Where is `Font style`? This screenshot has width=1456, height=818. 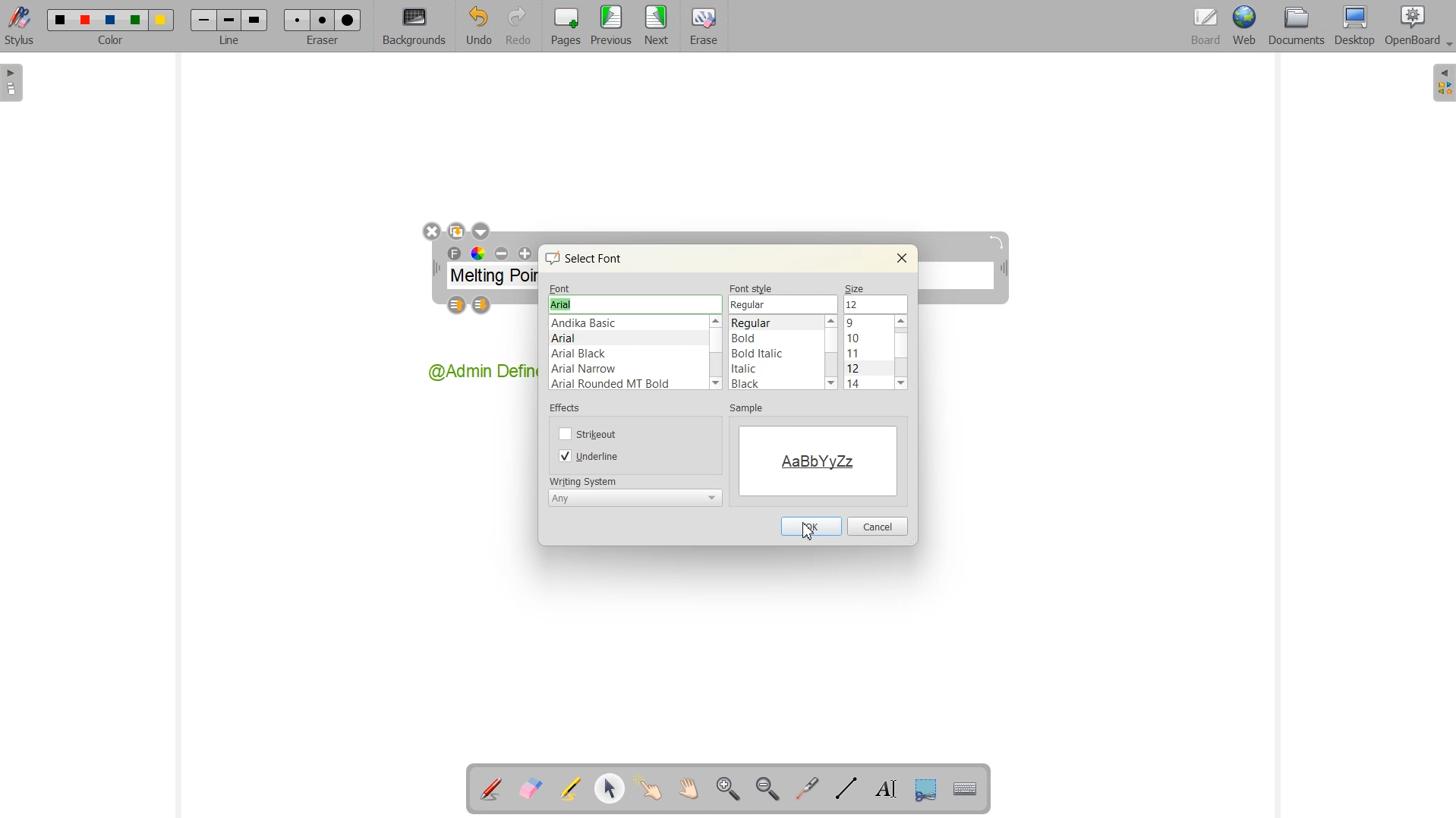
Font style is located at coordinates (776, 353).